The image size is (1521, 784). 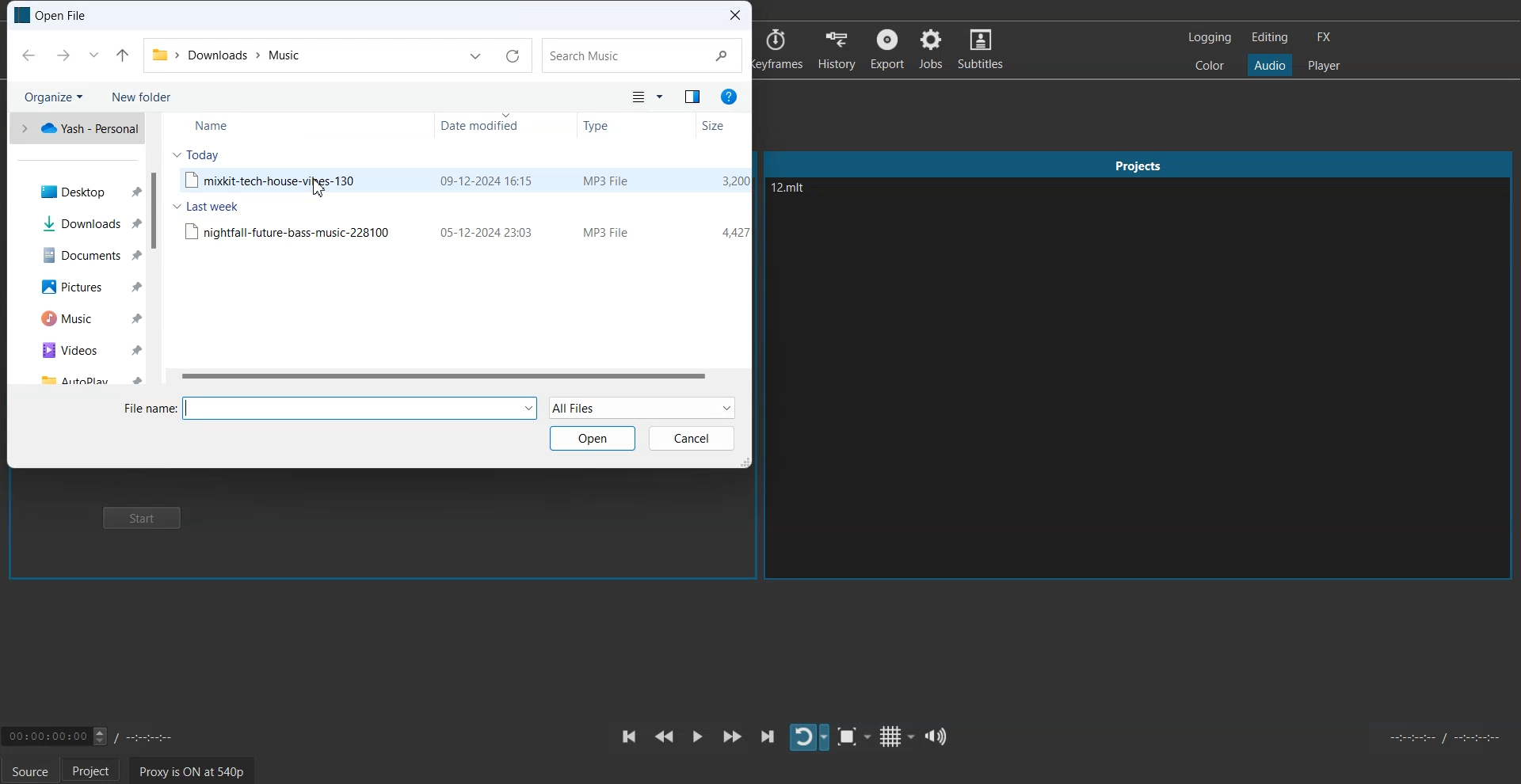 What do you see at coordinates (836, 204) in the screenshot?
I see `Text 1` at bounding box center [836, 204].